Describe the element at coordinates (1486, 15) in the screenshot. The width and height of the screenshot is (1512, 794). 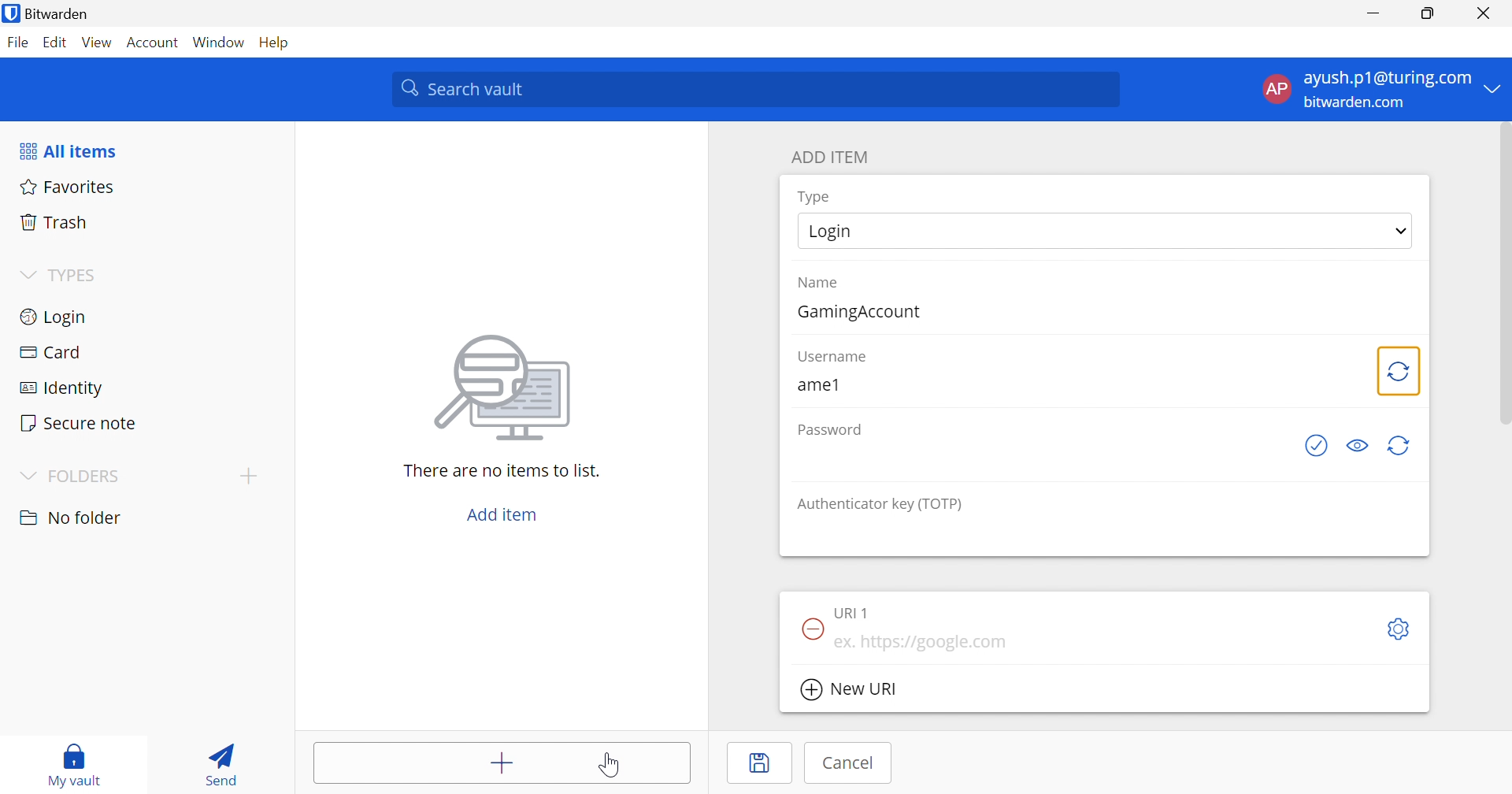
I see `Close` at that location.